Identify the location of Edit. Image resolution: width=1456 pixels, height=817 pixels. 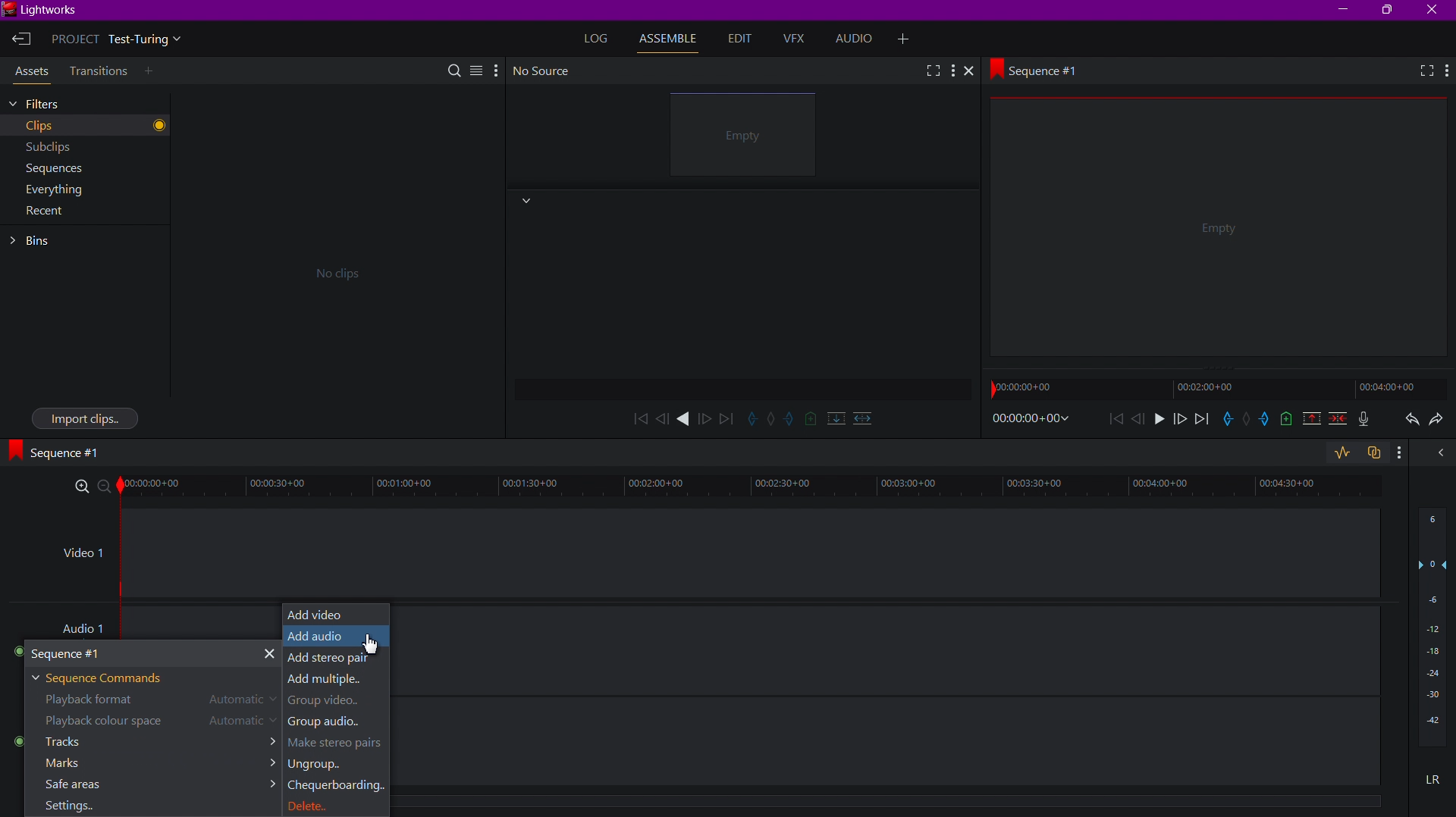
(739, 39).